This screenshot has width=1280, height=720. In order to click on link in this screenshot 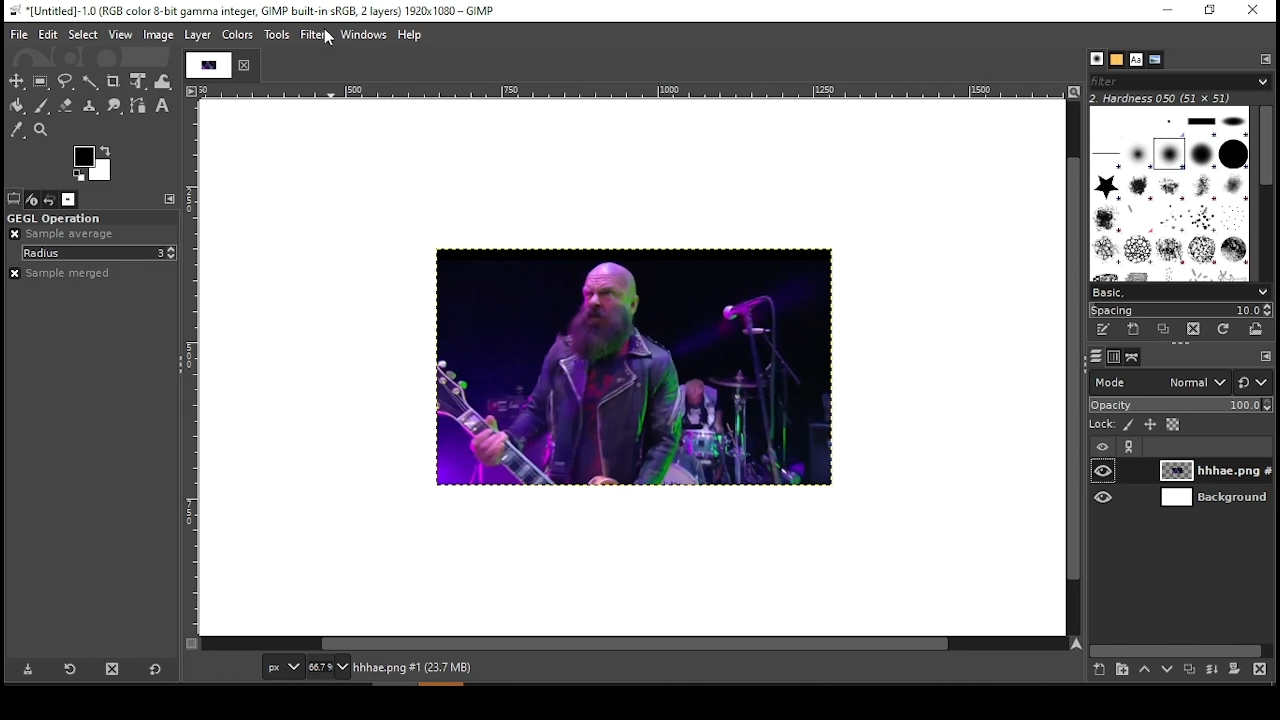, I will do `click(1127, 448)`.